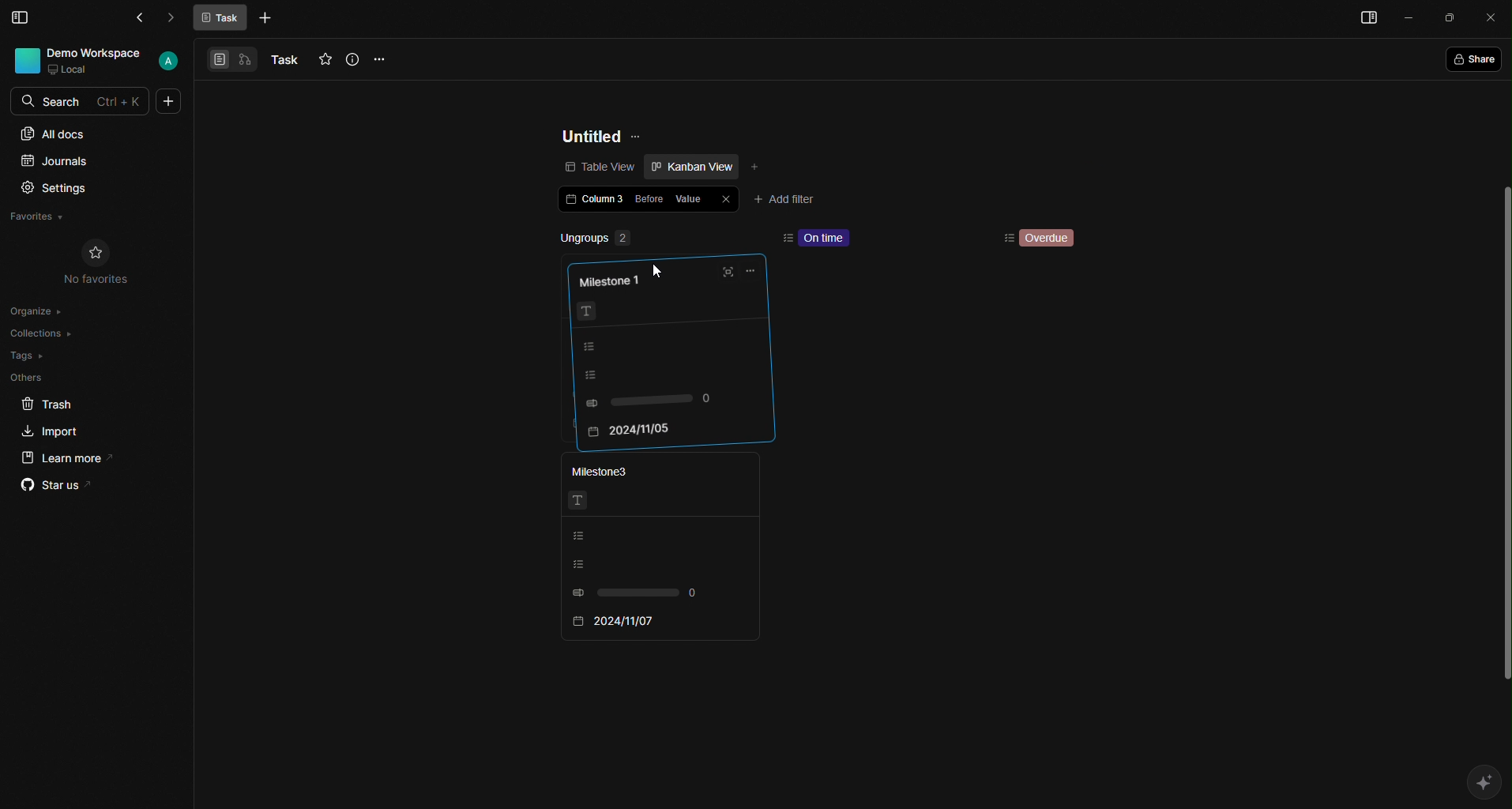 The height and width of the screenshot is (809, 1512). Describe the element at coordinates (627, 238) in the screenshot. I see `Ungroups` at that location.